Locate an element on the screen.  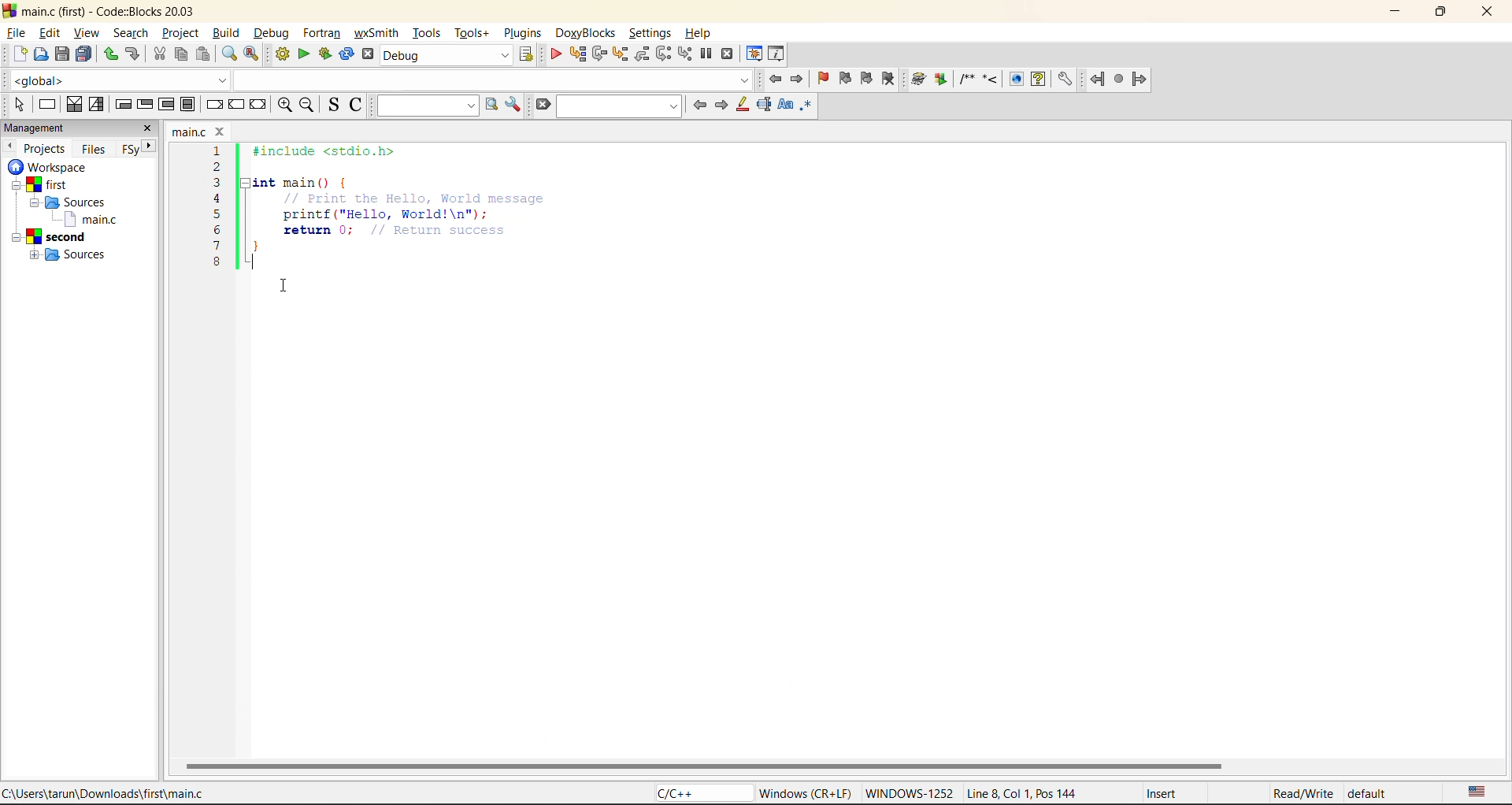
code:blocks logo is located at coordinates (9, 10).